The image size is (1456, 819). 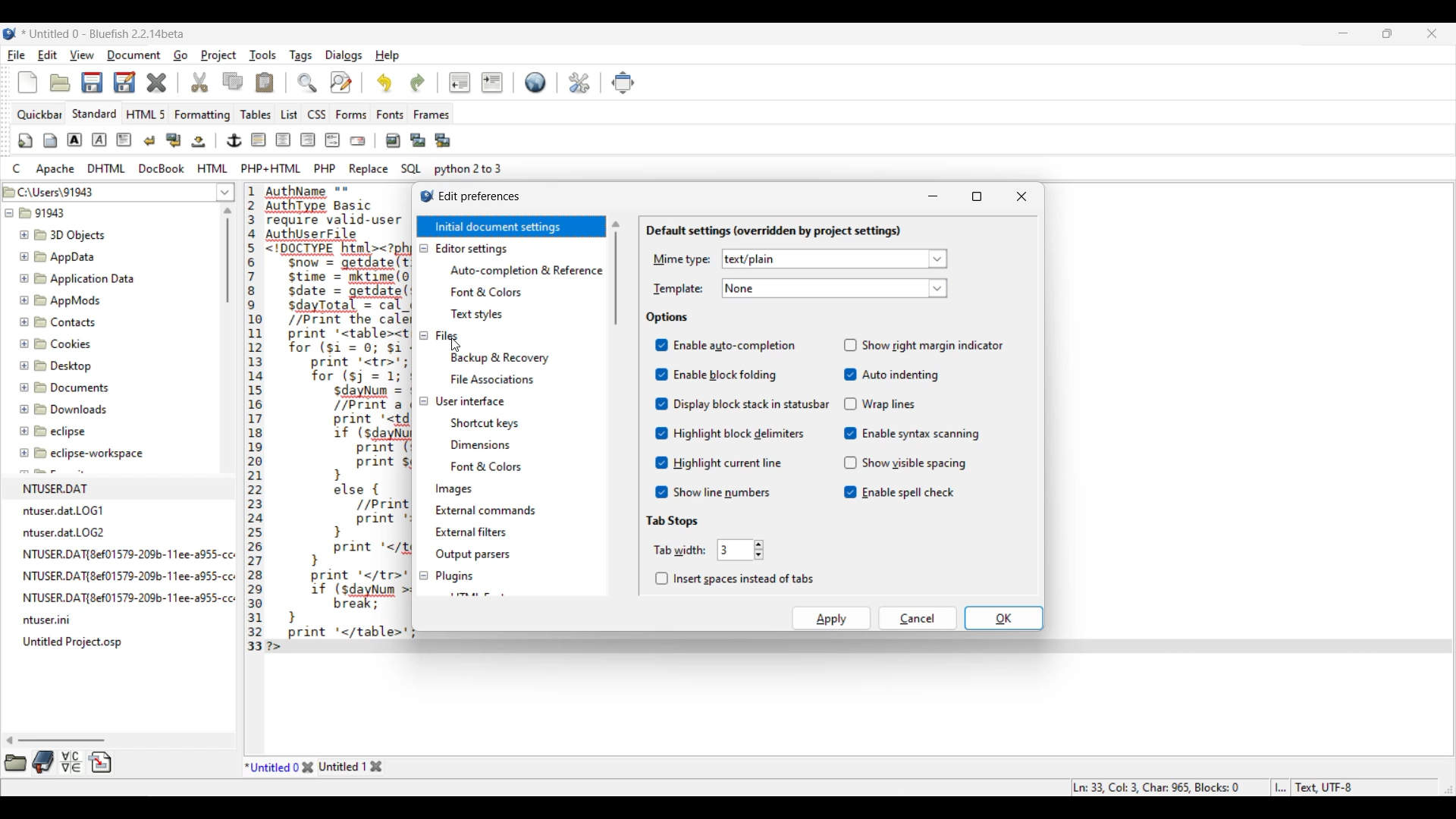 What do you see at coordinates (17, 55) in the screenshot?
I see `File menu` at bounding box center [17, 55].